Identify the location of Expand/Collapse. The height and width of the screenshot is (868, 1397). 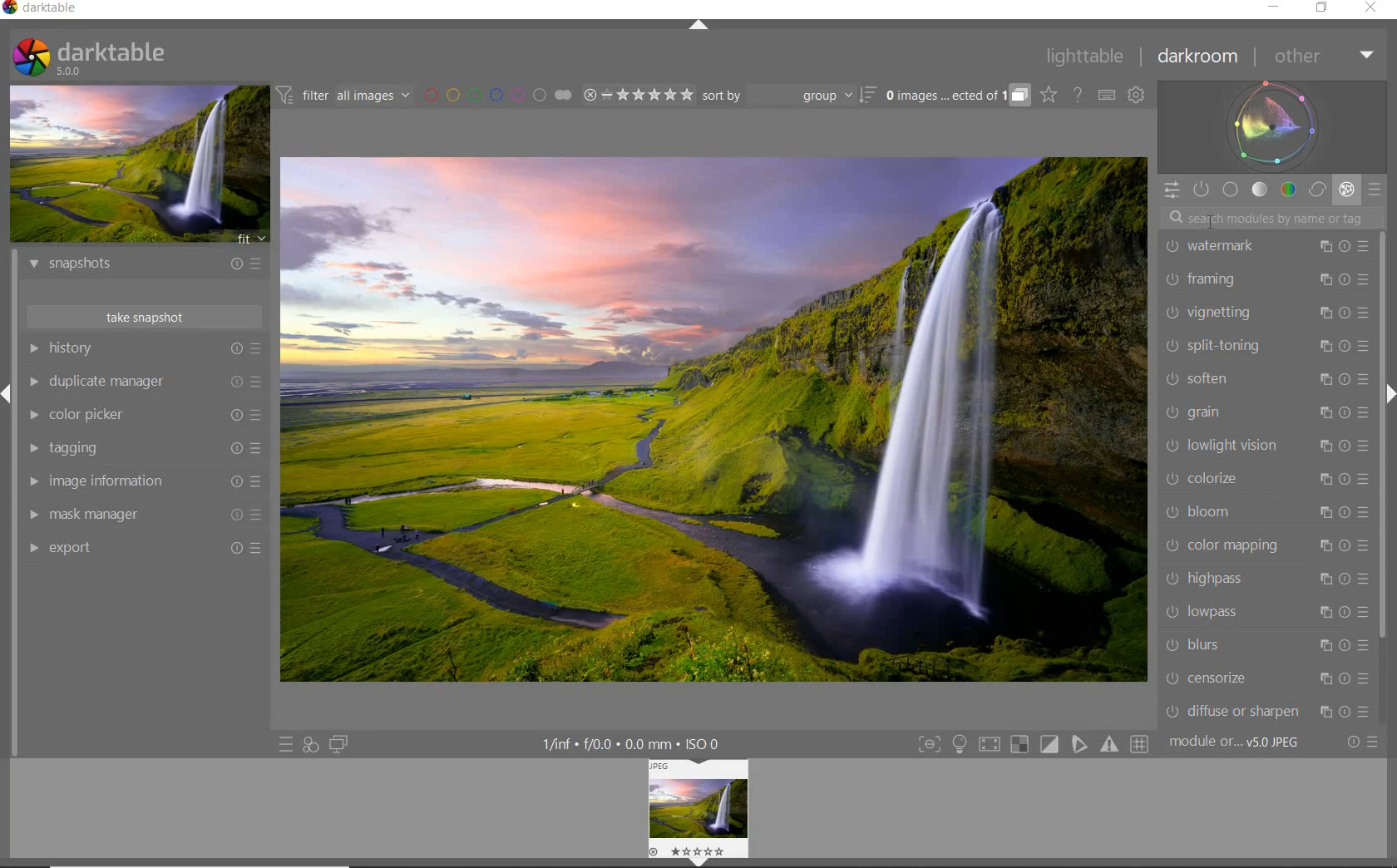
(11, 394).